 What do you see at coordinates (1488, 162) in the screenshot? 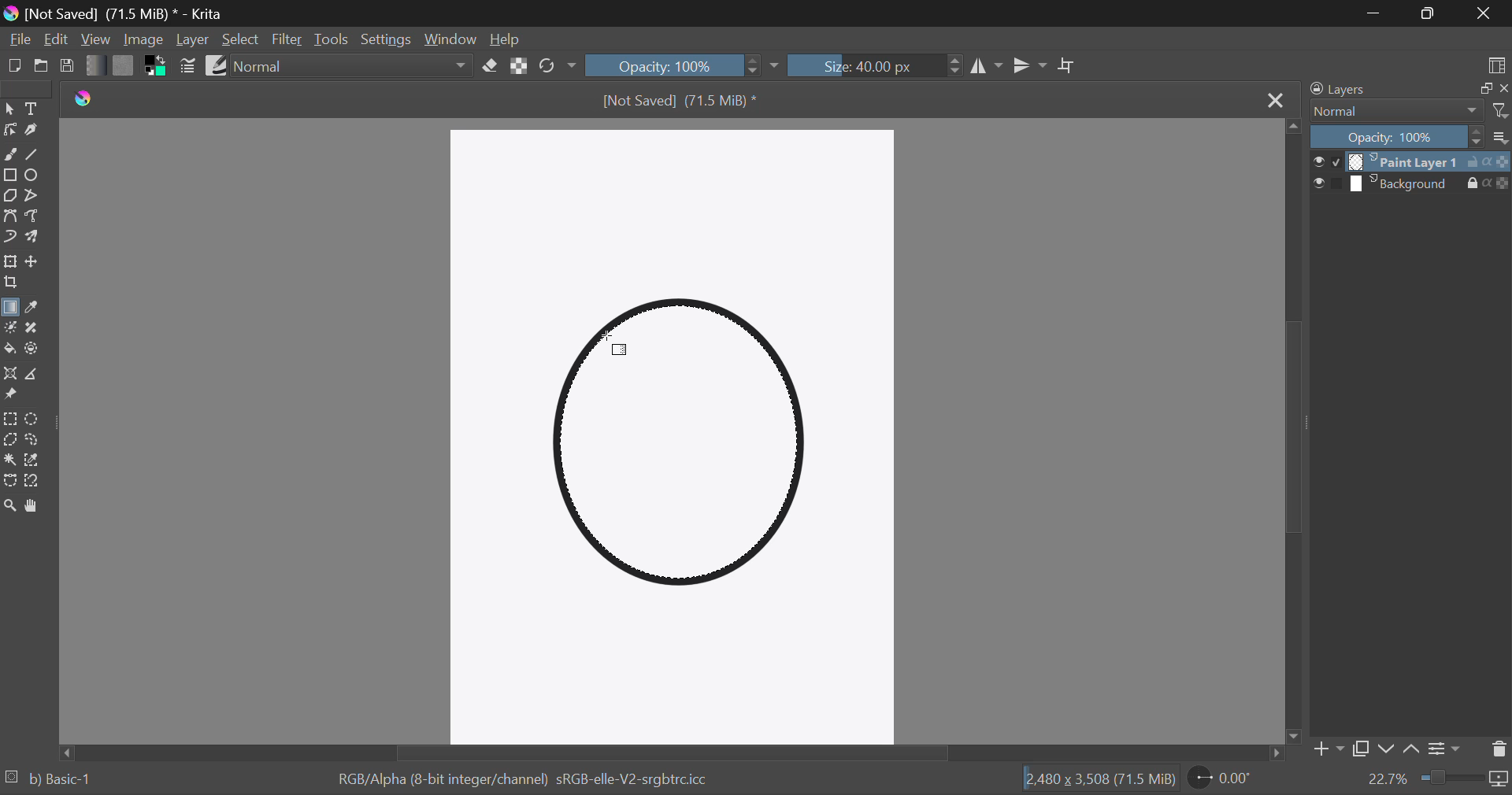
I see `actions` at bounding box center [1488, 162].